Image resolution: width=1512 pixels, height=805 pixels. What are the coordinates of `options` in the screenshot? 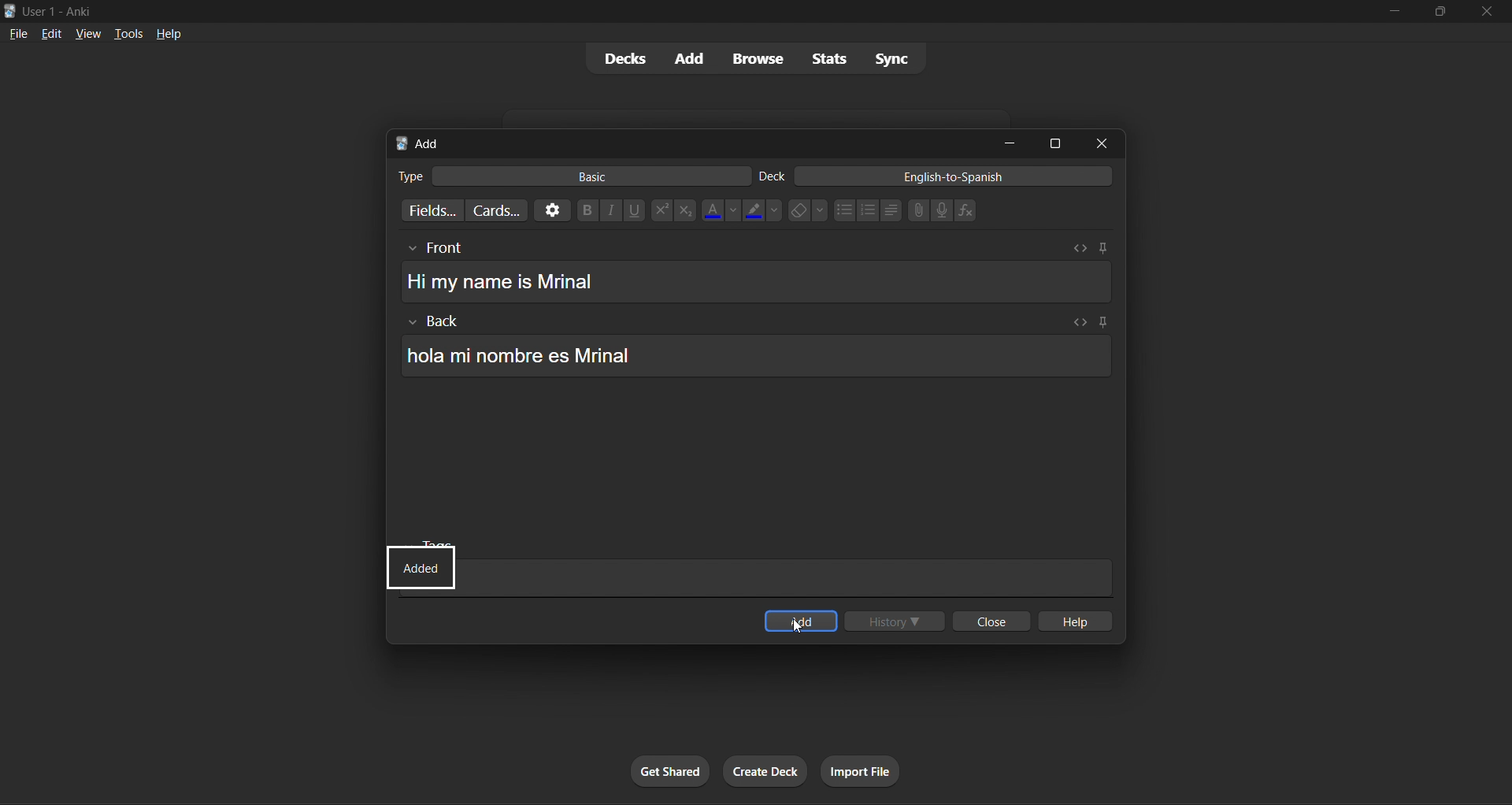 It's located at (548, 212).